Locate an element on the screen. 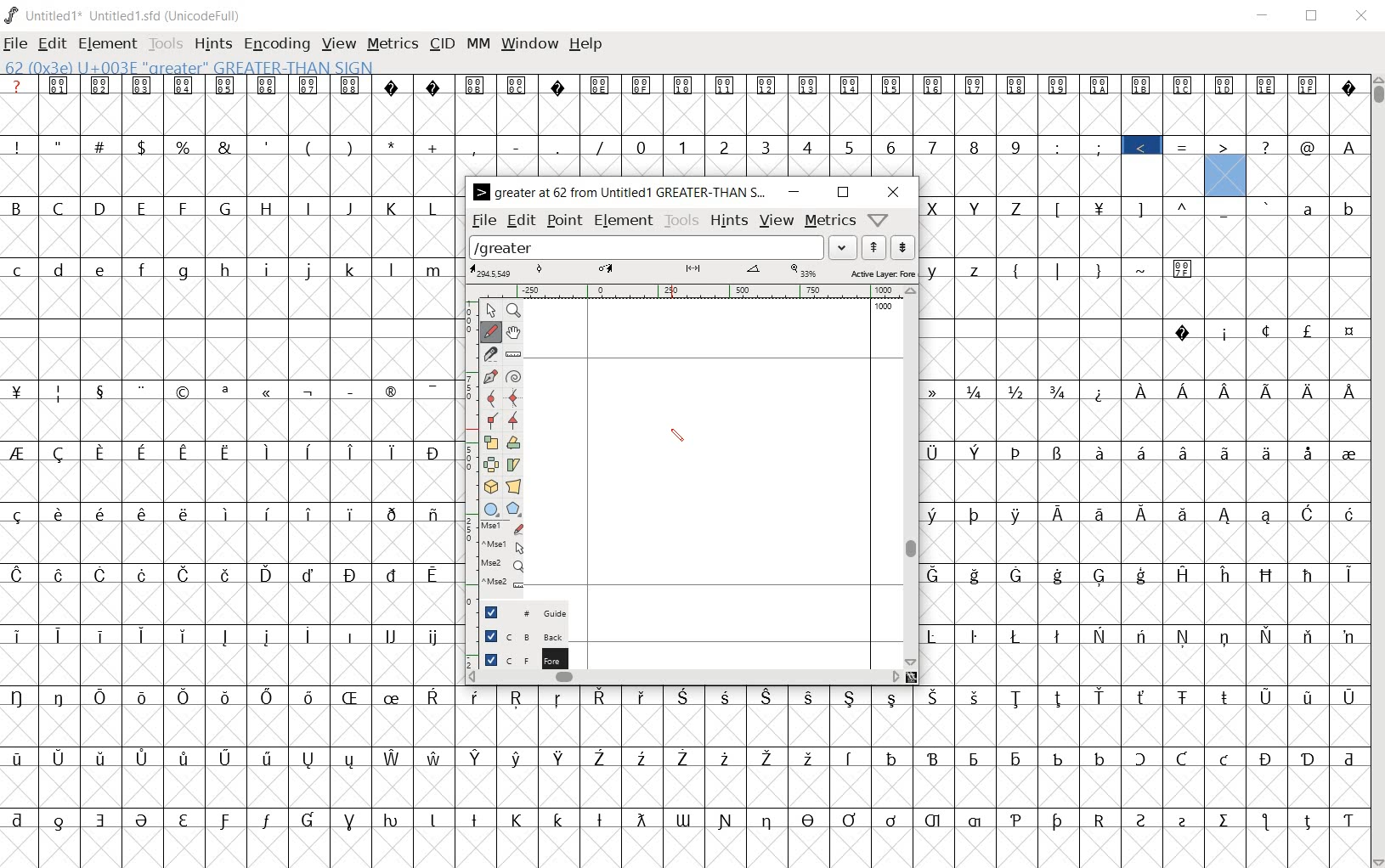  file is located at coordinates (15, 45).